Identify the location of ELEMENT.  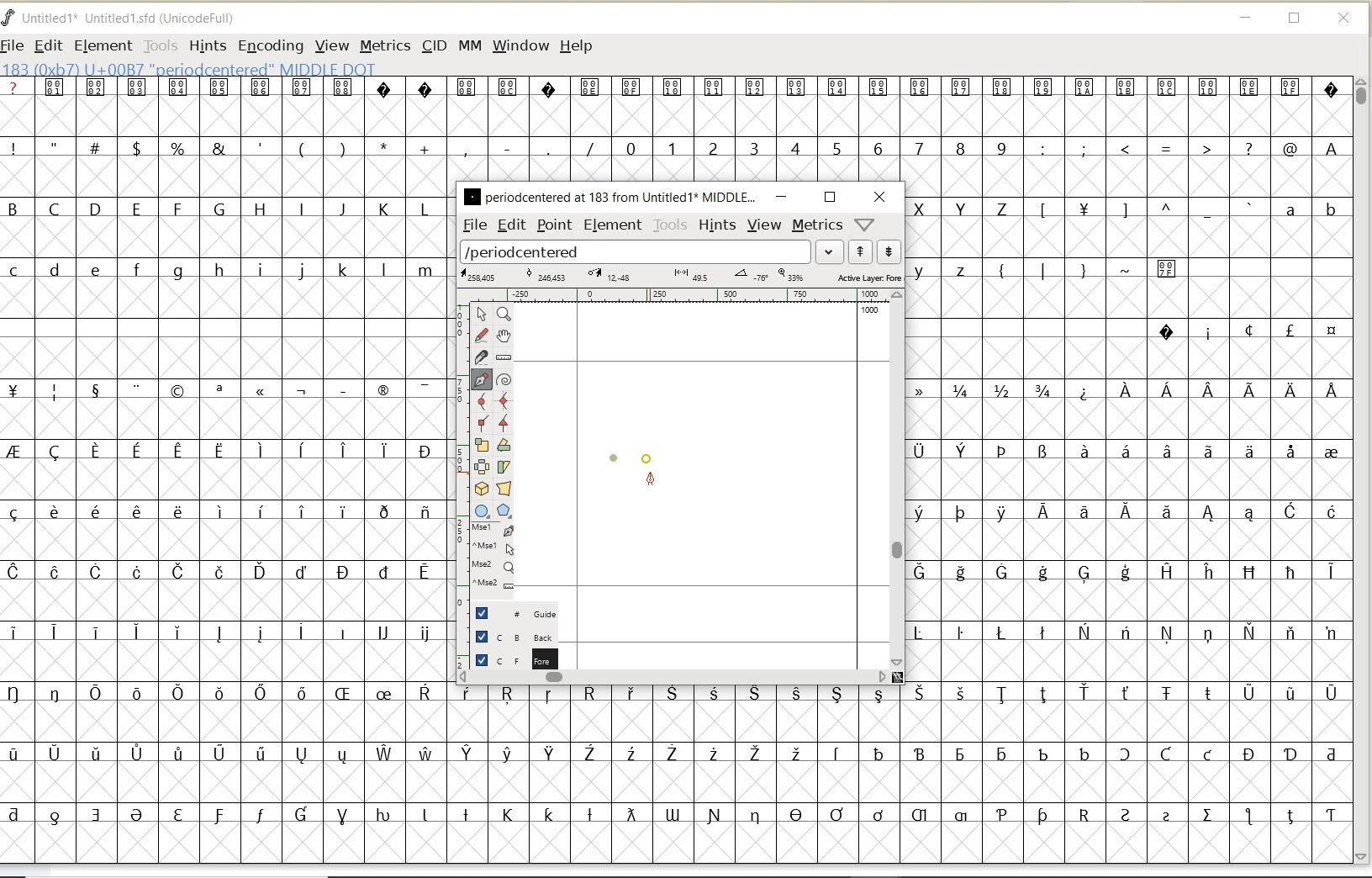
(103, 45).